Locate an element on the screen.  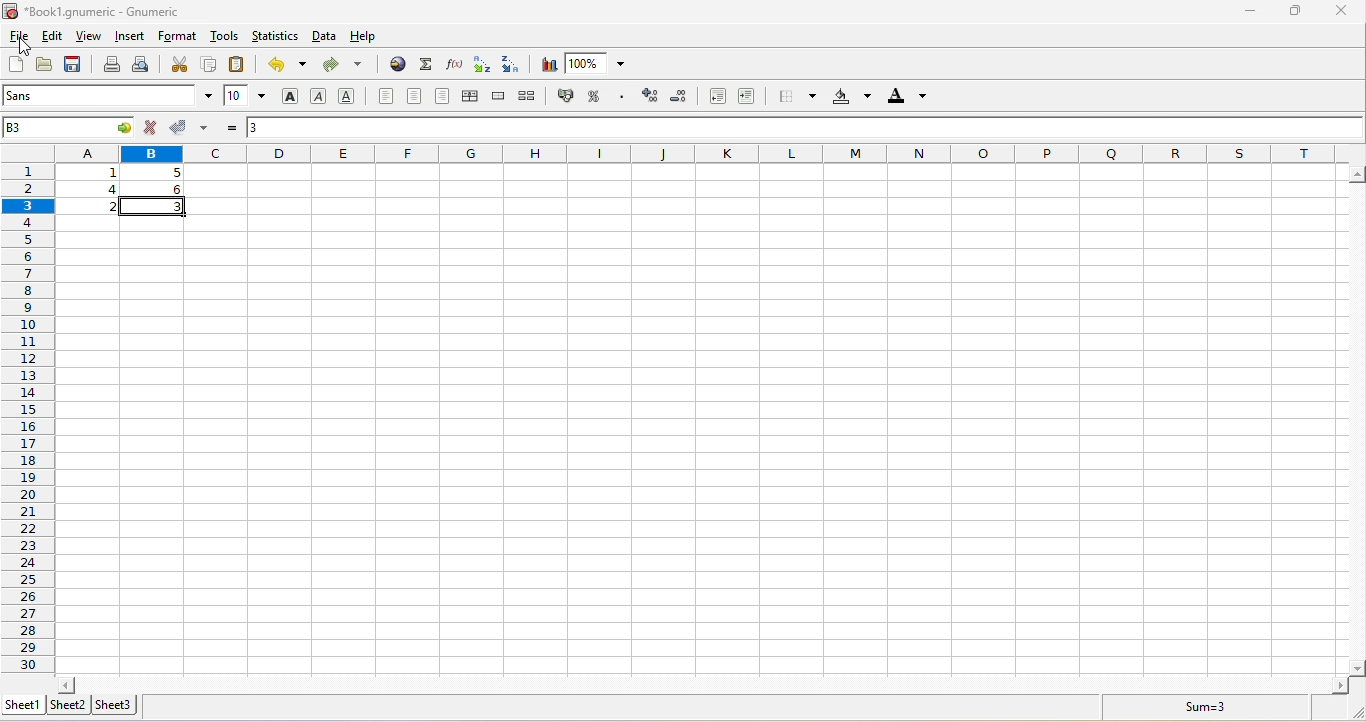
foreground is located at coordinates (905, 99).